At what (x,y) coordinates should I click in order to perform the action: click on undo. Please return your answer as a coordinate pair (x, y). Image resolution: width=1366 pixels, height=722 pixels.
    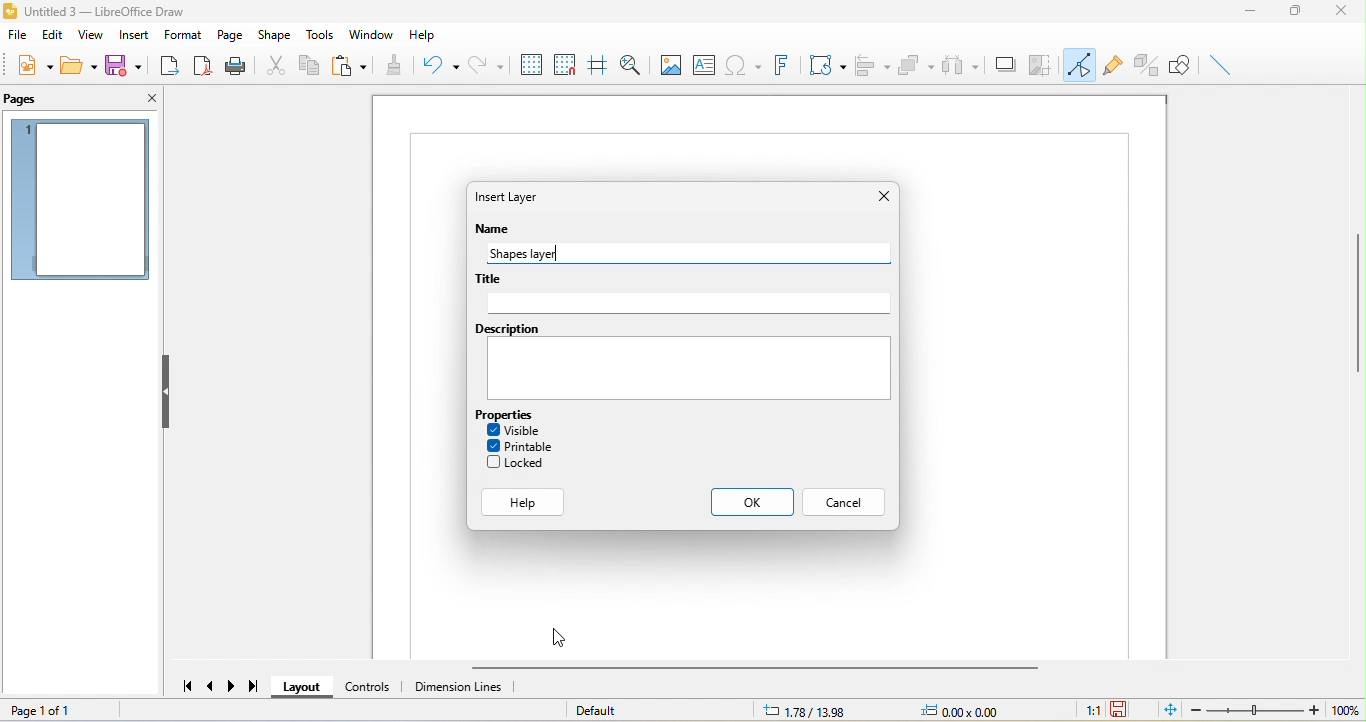
    Looking at the image, I should click on (436, 64).